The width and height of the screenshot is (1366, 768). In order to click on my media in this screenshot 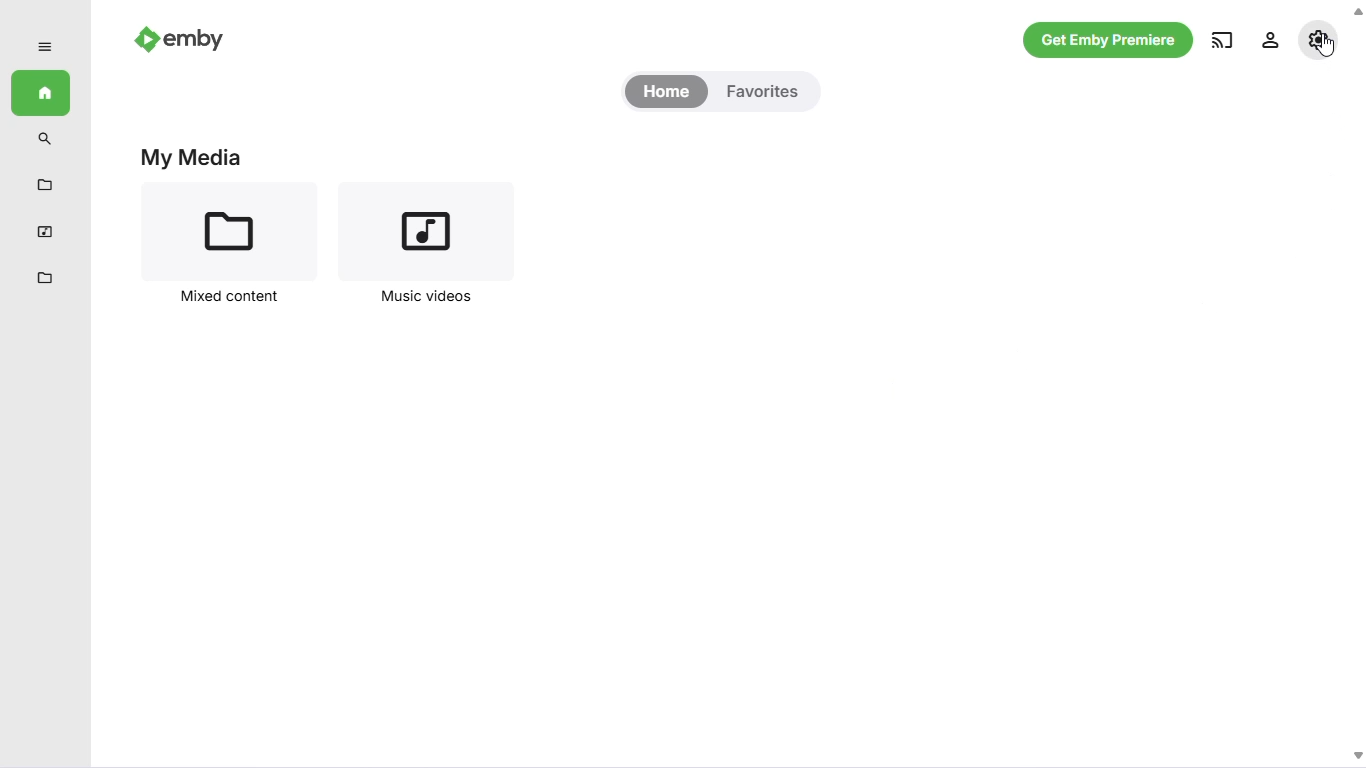, I will do `click(189, 157)`.